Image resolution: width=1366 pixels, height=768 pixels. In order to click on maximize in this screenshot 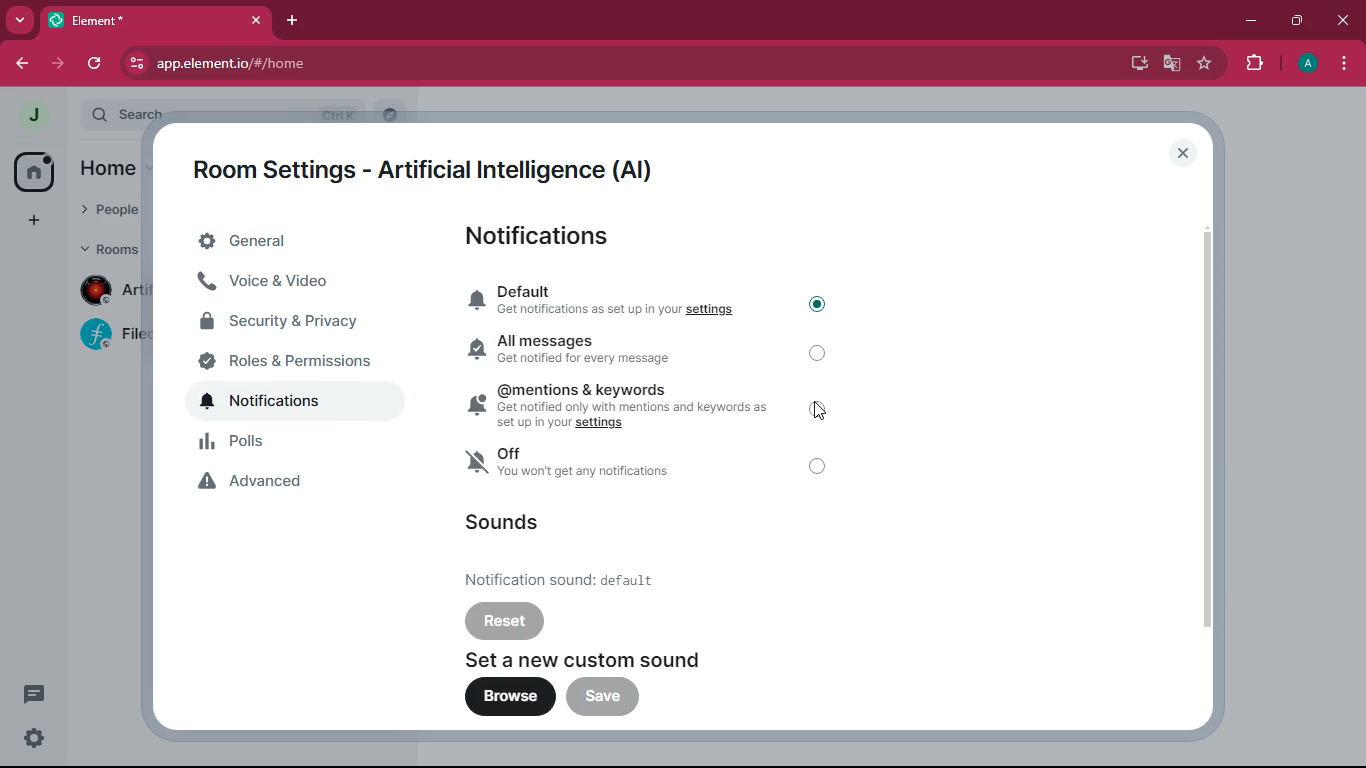, I will do `click(1296, 22)`.